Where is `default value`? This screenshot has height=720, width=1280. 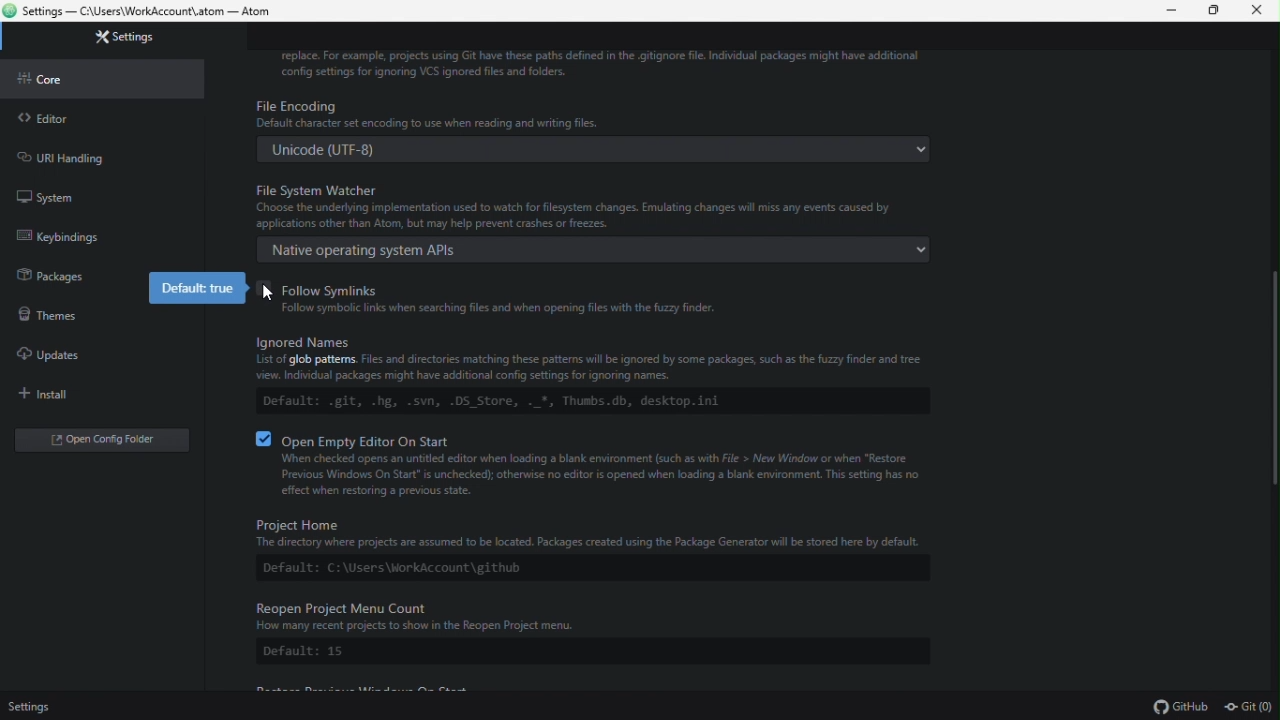 default value is located at coordinates (199, 289).